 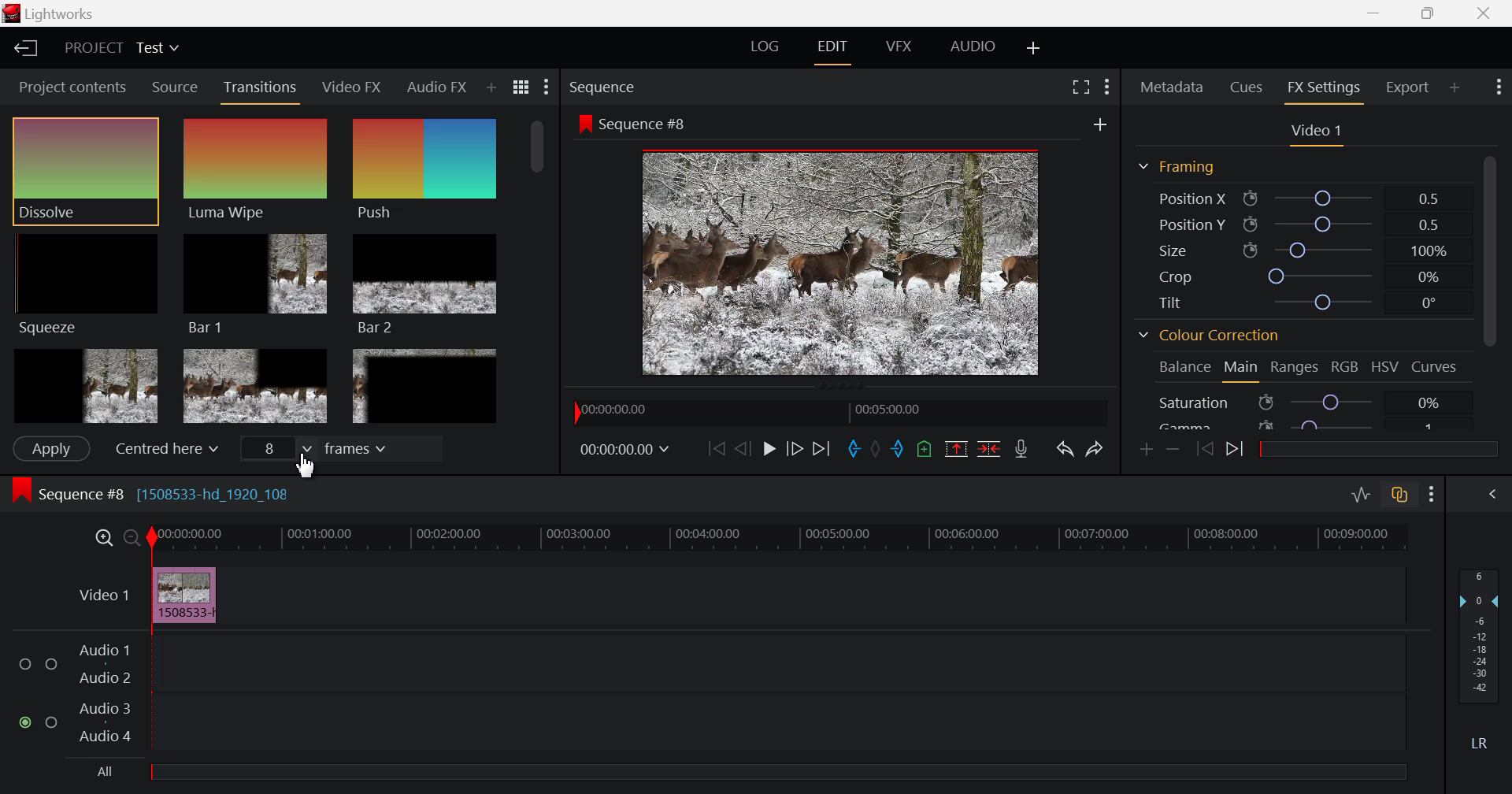 What do you see at coordinates (254, 284) in the screenshot?
I see `Bar 1` at bounding box center [254, 284].